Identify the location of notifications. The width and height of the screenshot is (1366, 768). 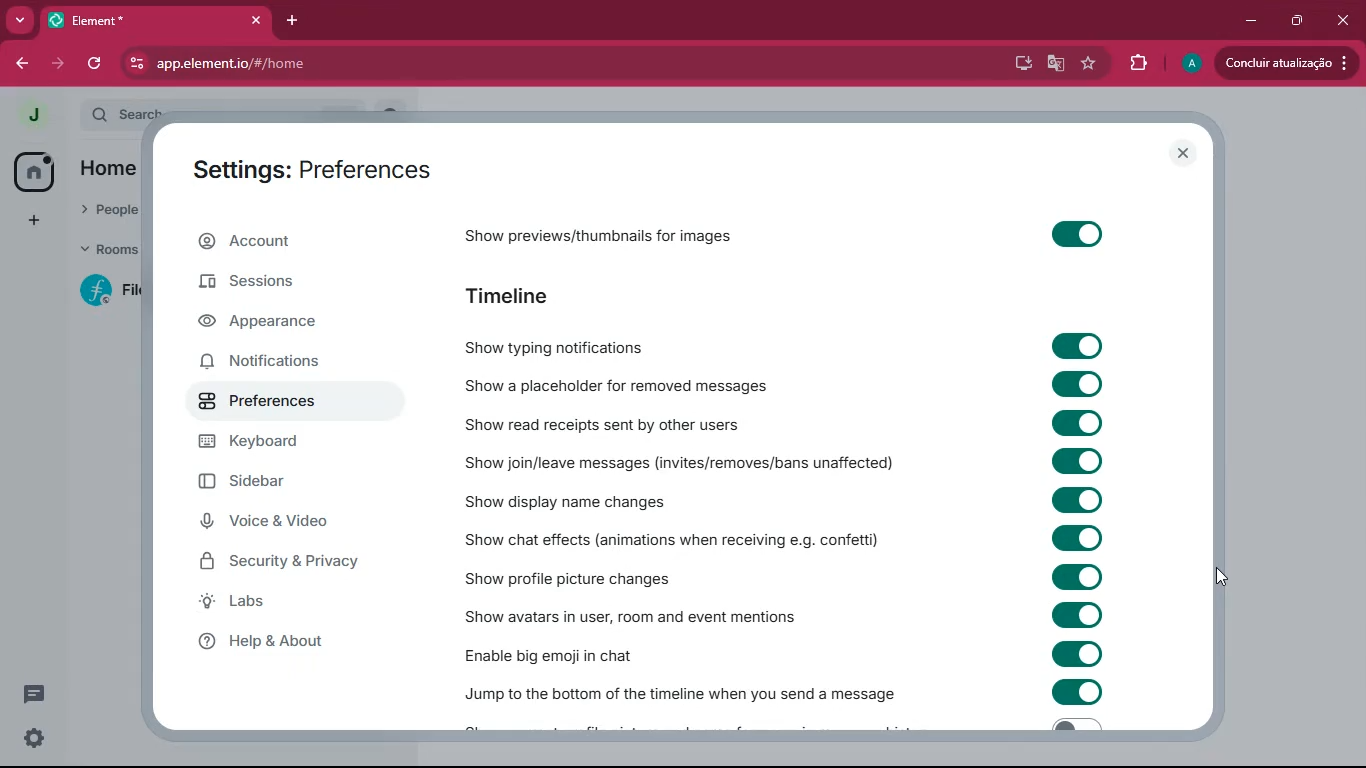
(290, 362).